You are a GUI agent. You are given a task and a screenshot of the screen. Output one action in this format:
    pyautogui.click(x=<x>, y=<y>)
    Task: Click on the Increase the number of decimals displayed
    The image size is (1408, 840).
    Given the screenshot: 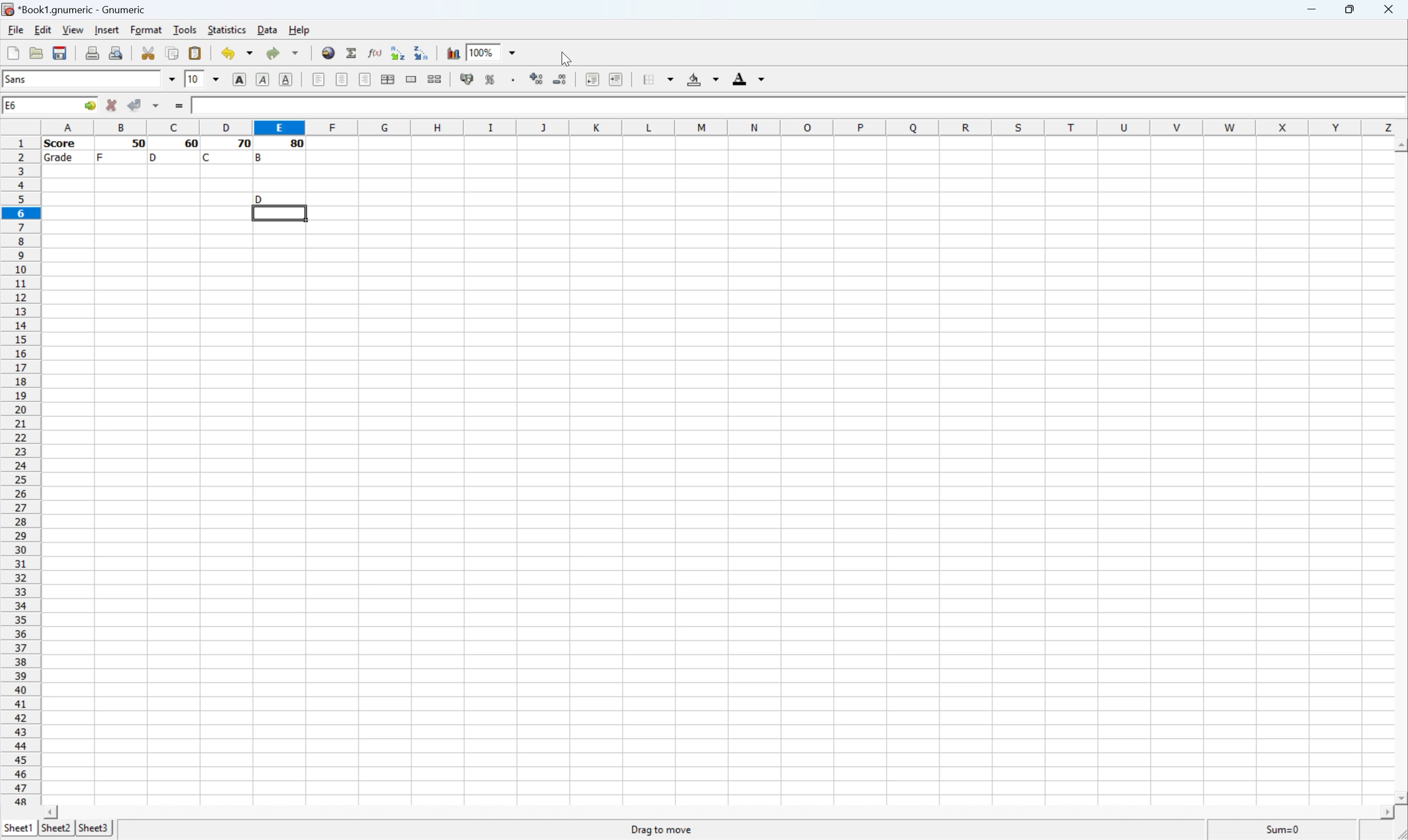 What is the action you would take?
    pyautogui.click(x=537, y=78)
    